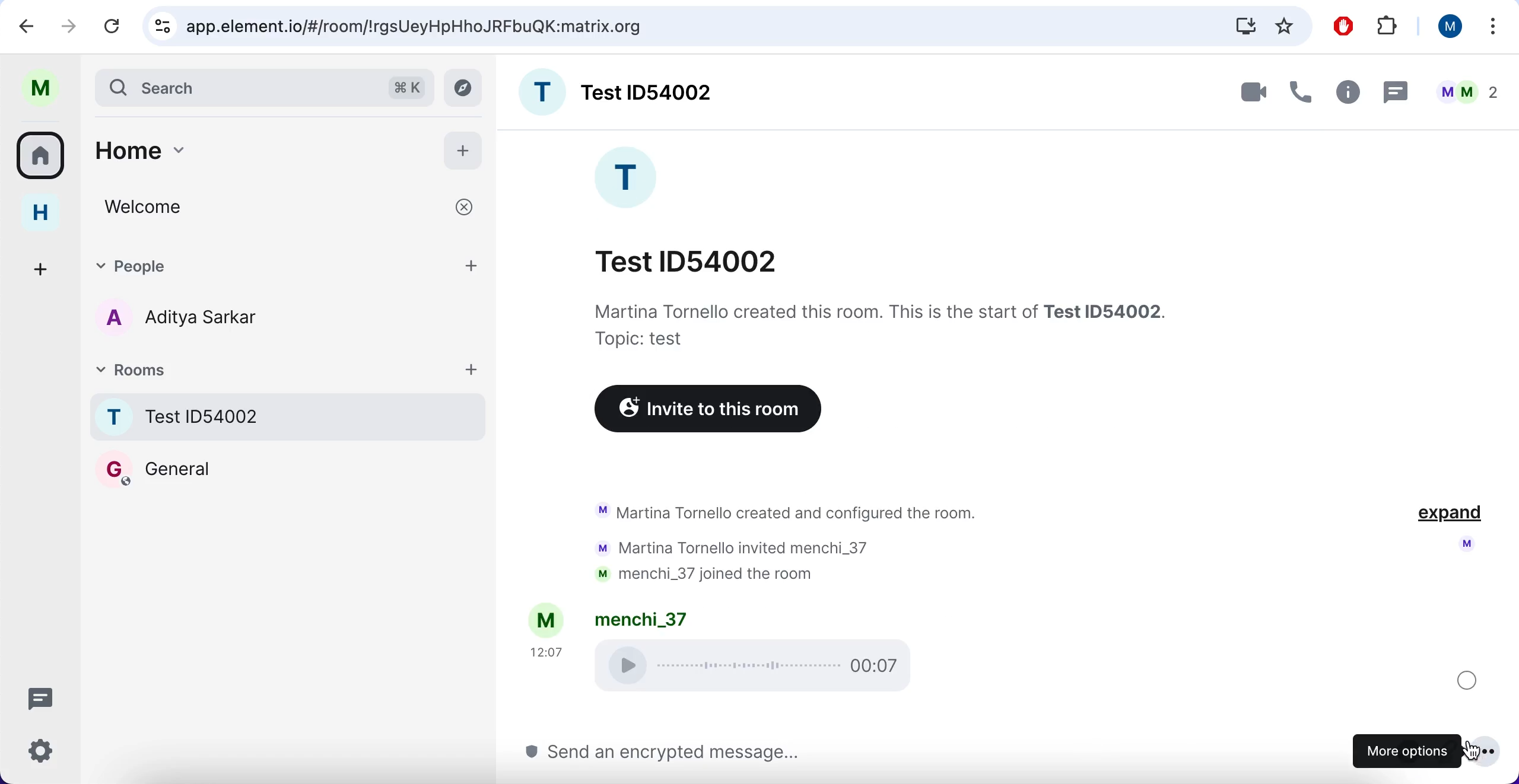 The image size is (1519, 784). I want to click on command, so click(406, 85).